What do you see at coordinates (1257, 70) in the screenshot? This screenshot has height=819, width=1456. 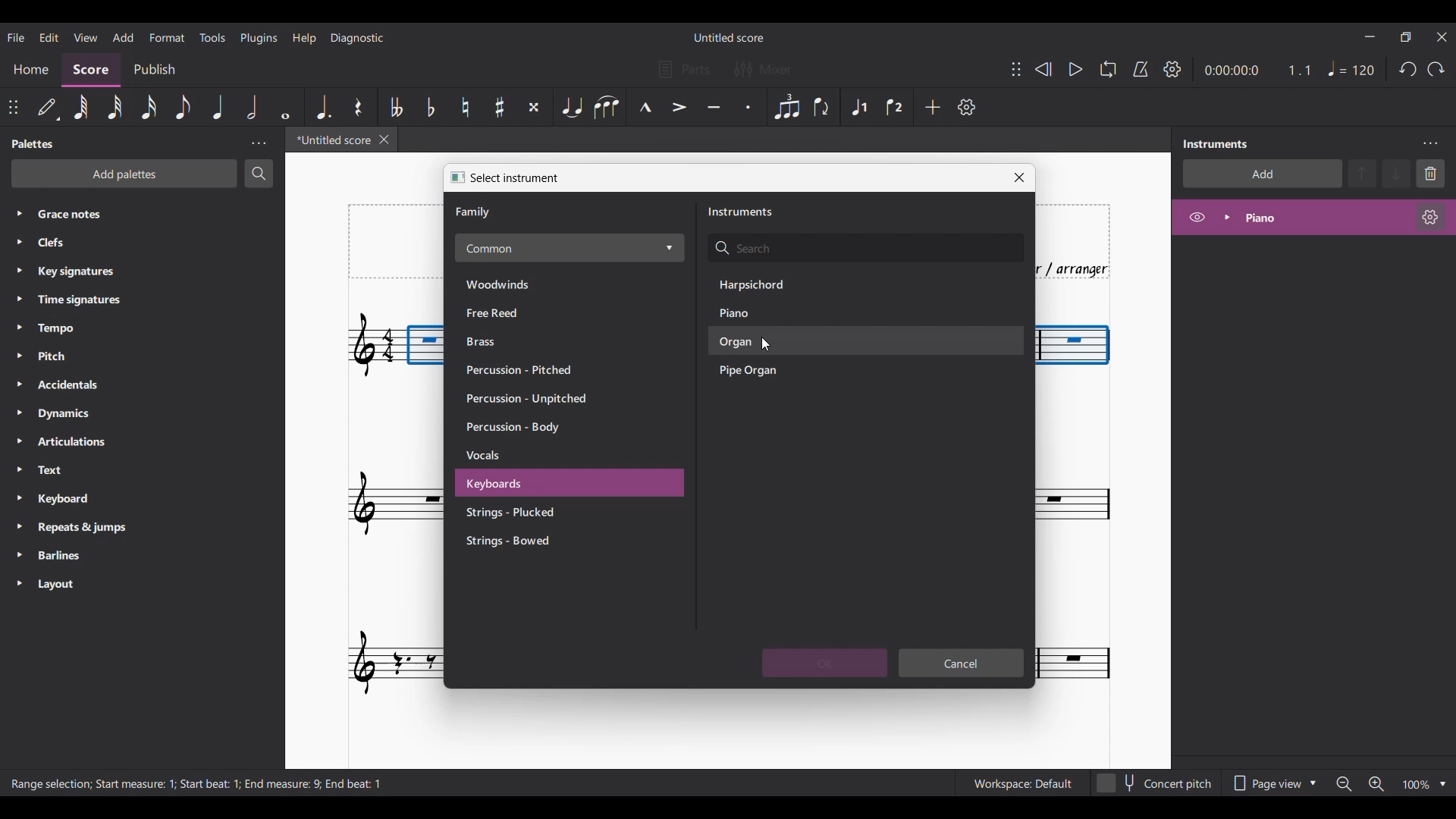 I see `Ratio and duration of current note in score` at bounding box center [1257, 70].